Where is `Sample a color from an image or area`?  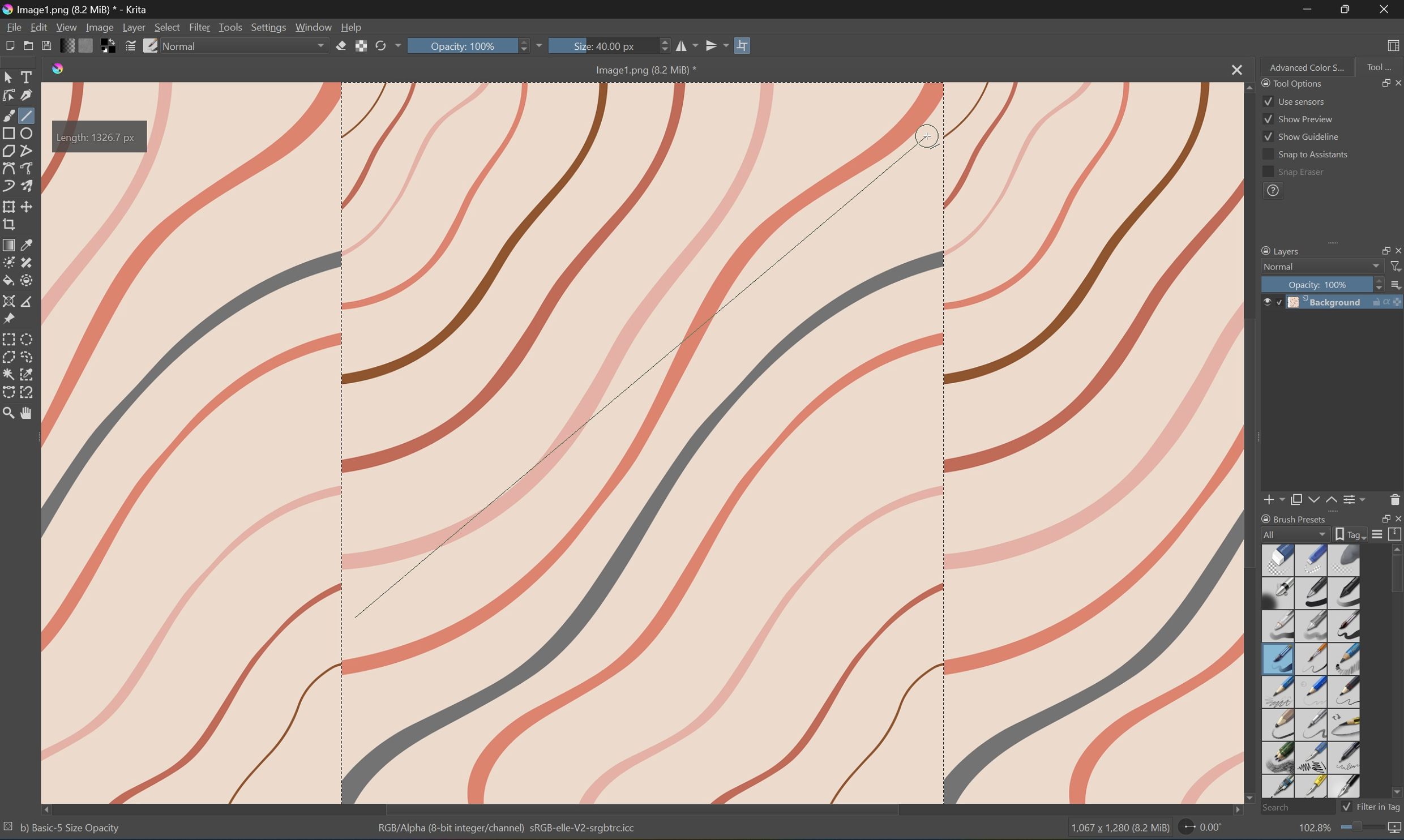
Sample a color from an image or area is located at coordinates (28, 243).